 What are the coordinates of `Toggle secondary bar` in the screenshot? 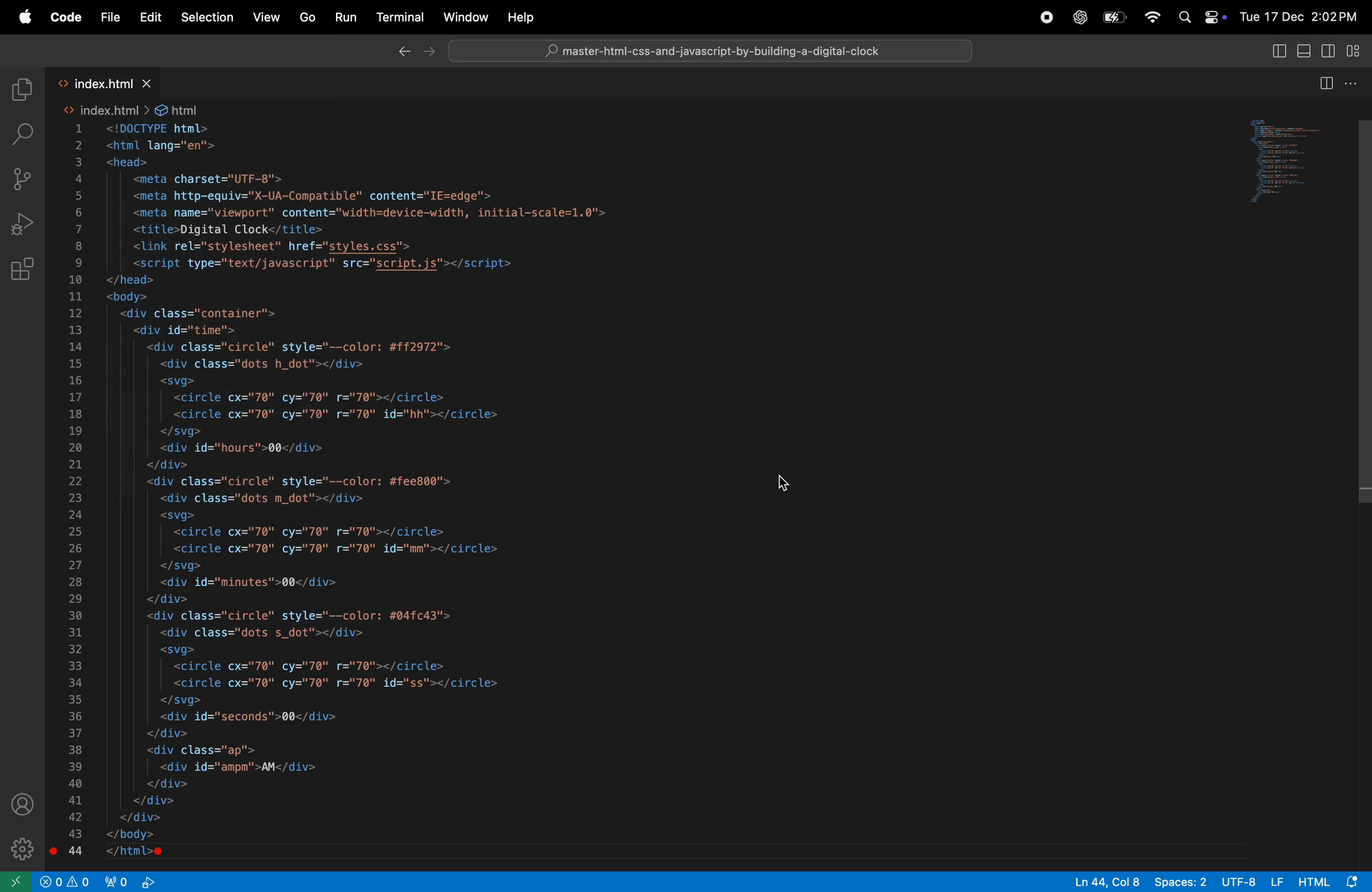 It's located at (1327, 52).